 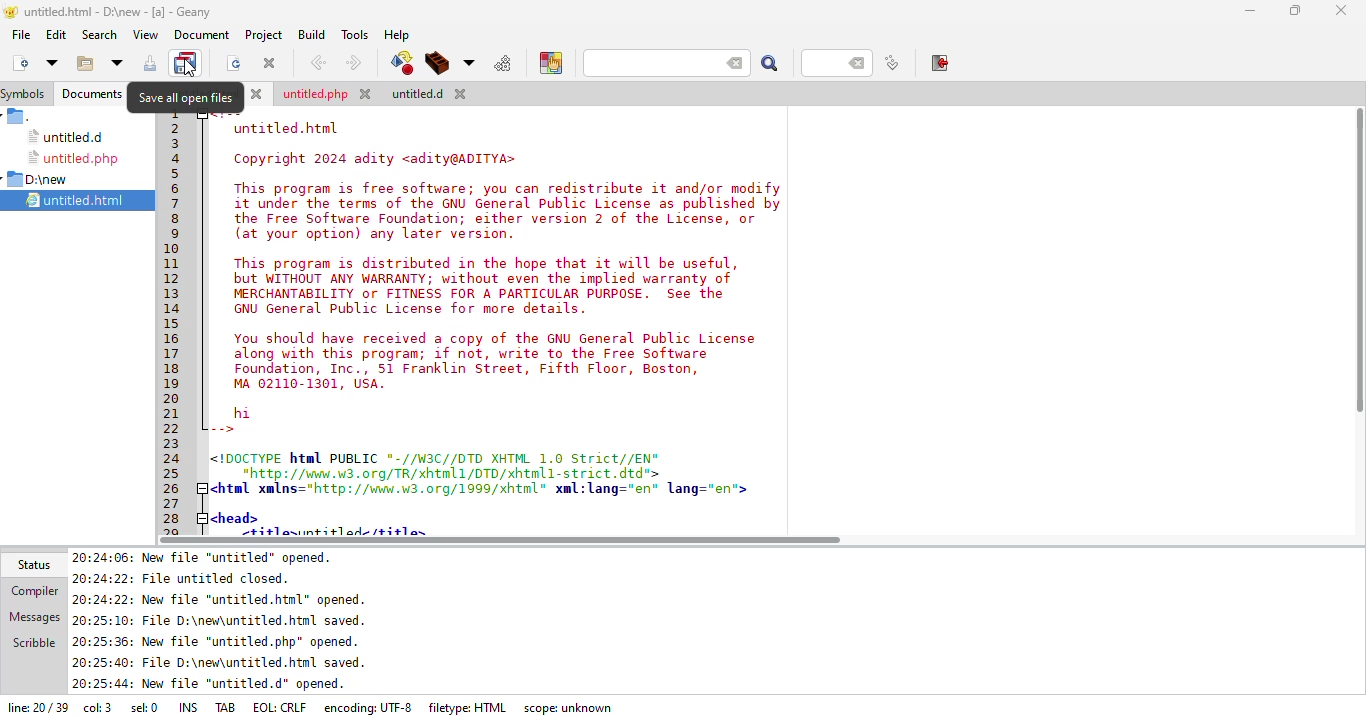 What do you see at coordinates (39, 707) in the screenshot?
I see `line` at bounding box center [39, 707].